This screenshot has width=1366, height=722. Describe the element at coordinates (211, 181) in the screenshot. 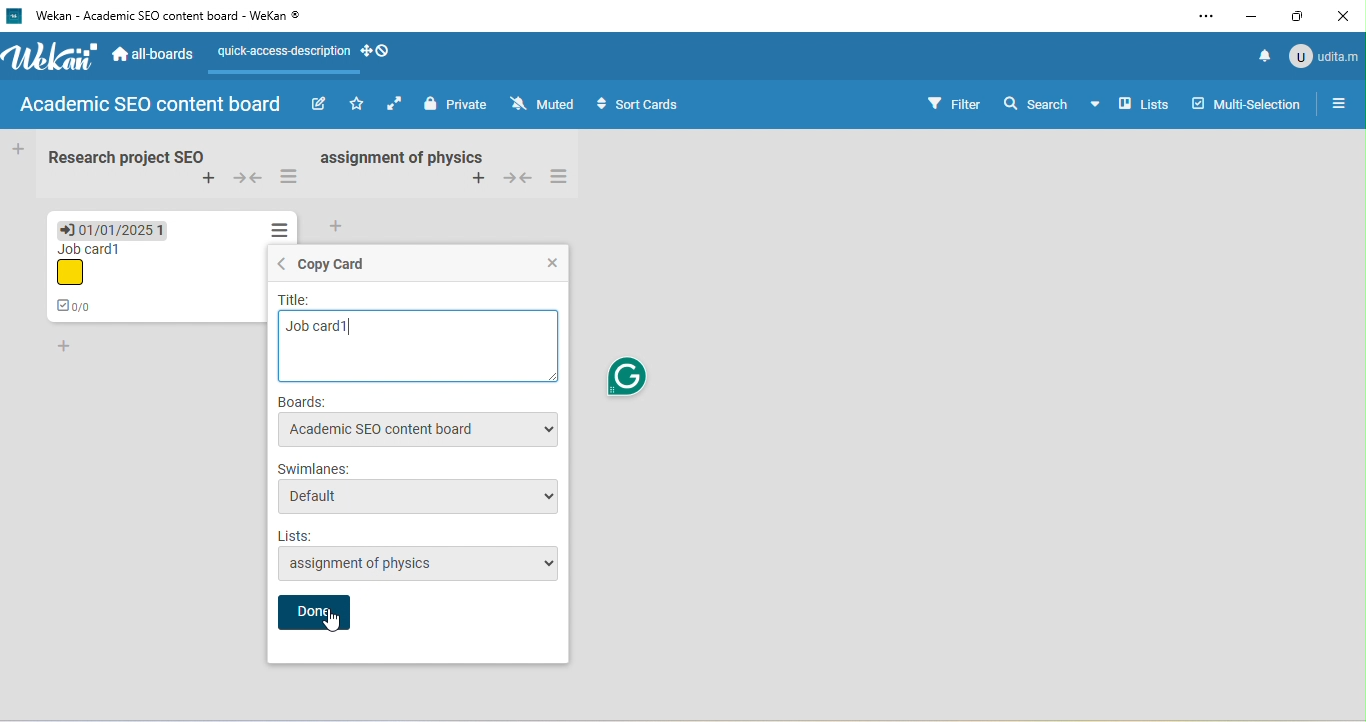

I see `add swimlane` at that location.